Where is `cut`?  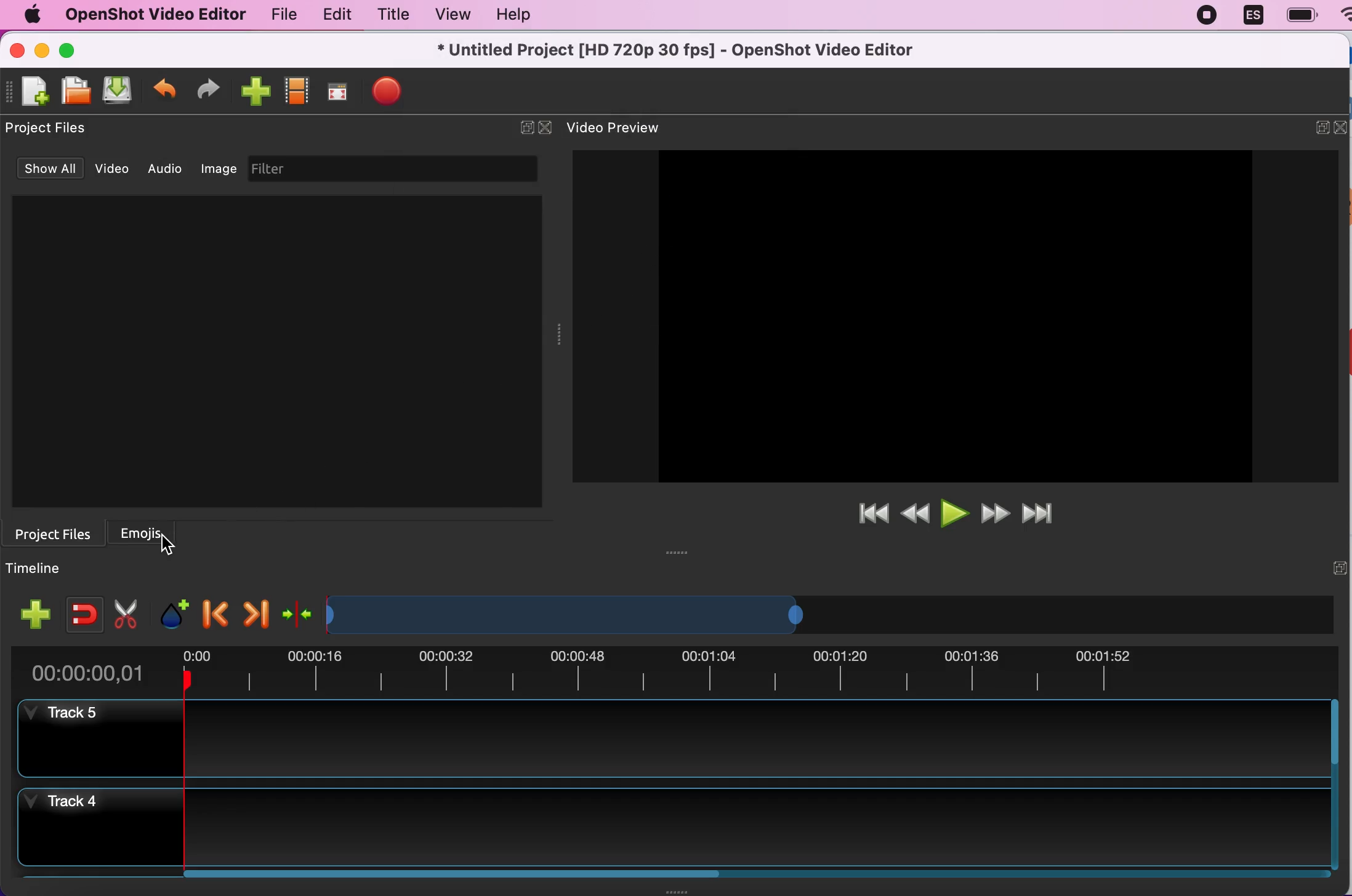
cut is located at coordinates (126, 613).